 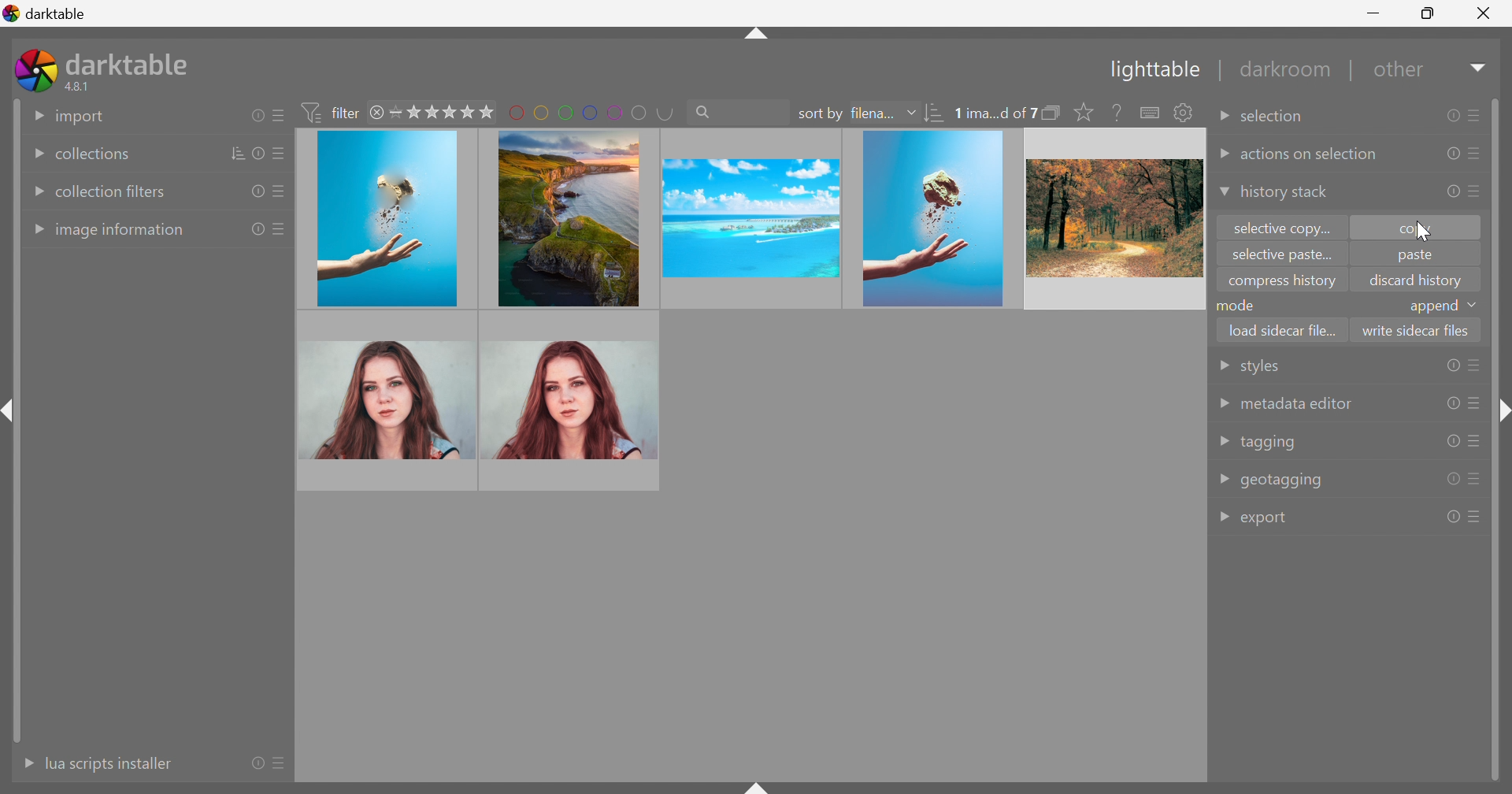 What do you see at coordinates (1484, 17) in the screenshot?
I see `Close` at bounding box center [1484, 17].